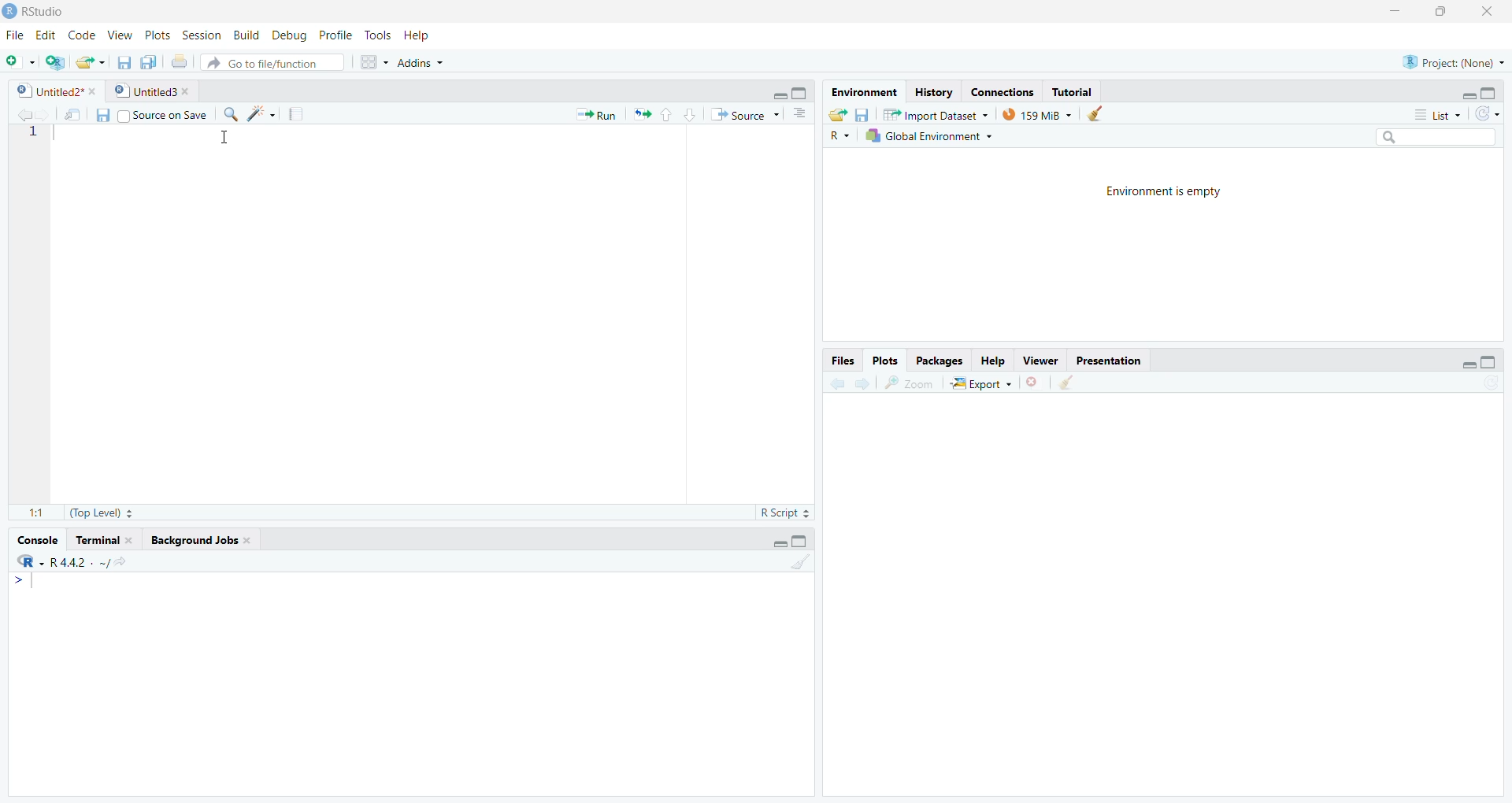 The width and height of the screenshot is (1512, 803). Describe the element at coordinates (665, 115) in the screenshot. I see `Up` at that location.